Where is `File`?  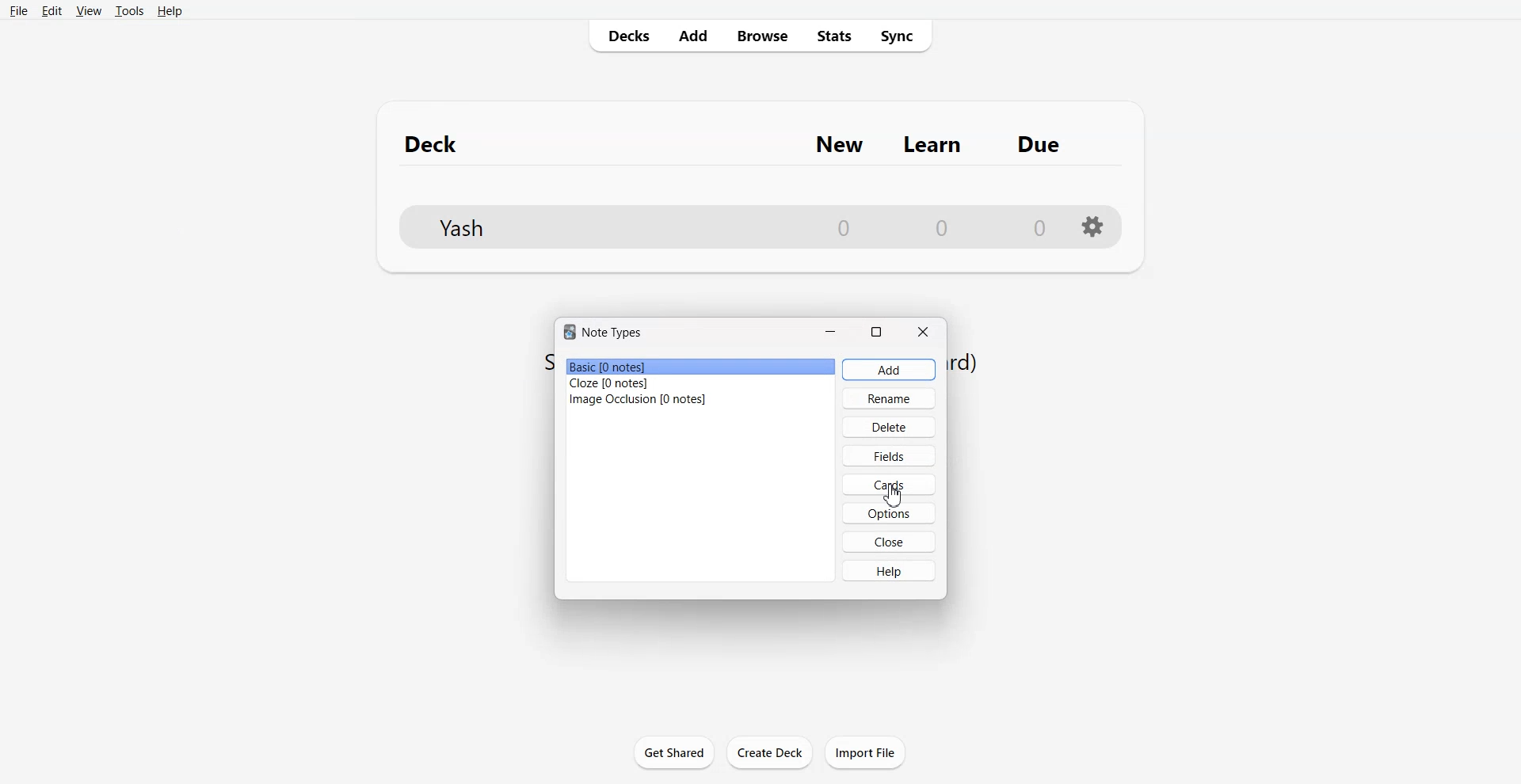
File is located at coordinates (18, 10).